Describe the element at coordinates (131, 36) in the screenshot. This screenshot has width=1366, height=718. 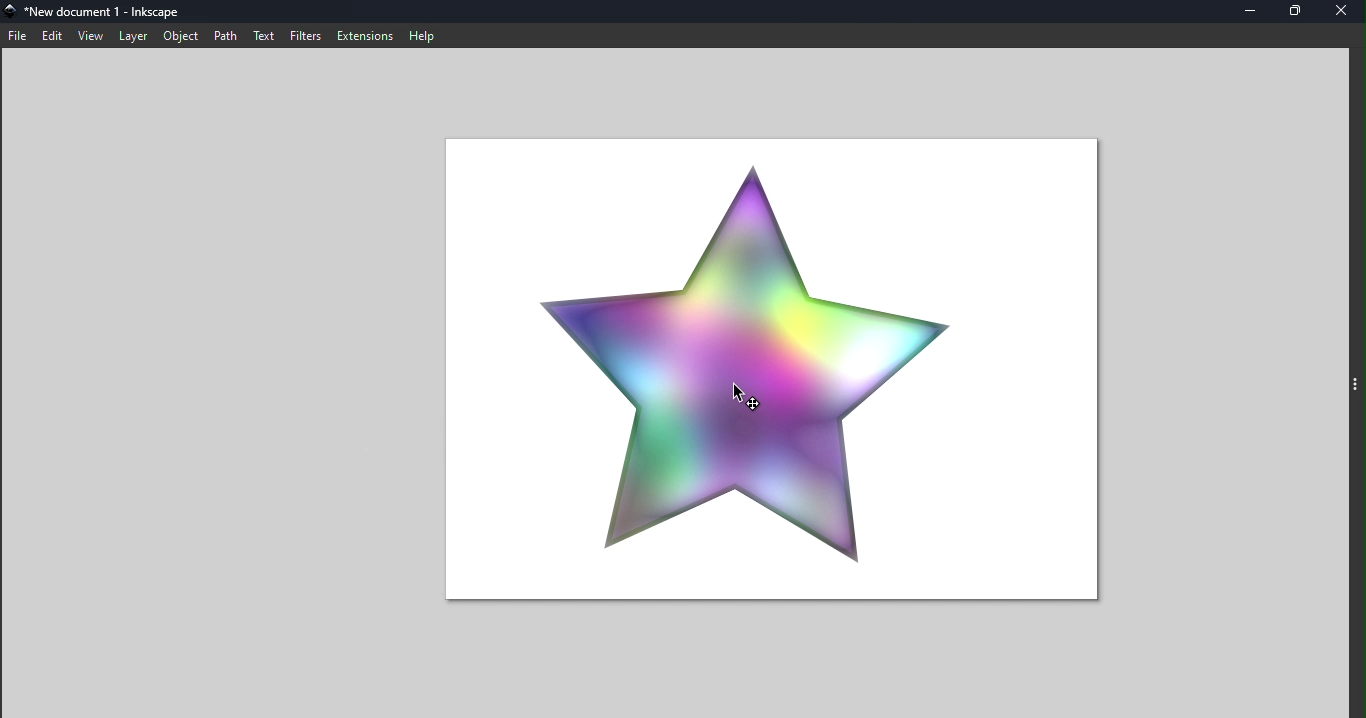
I see `Layer` at that location.